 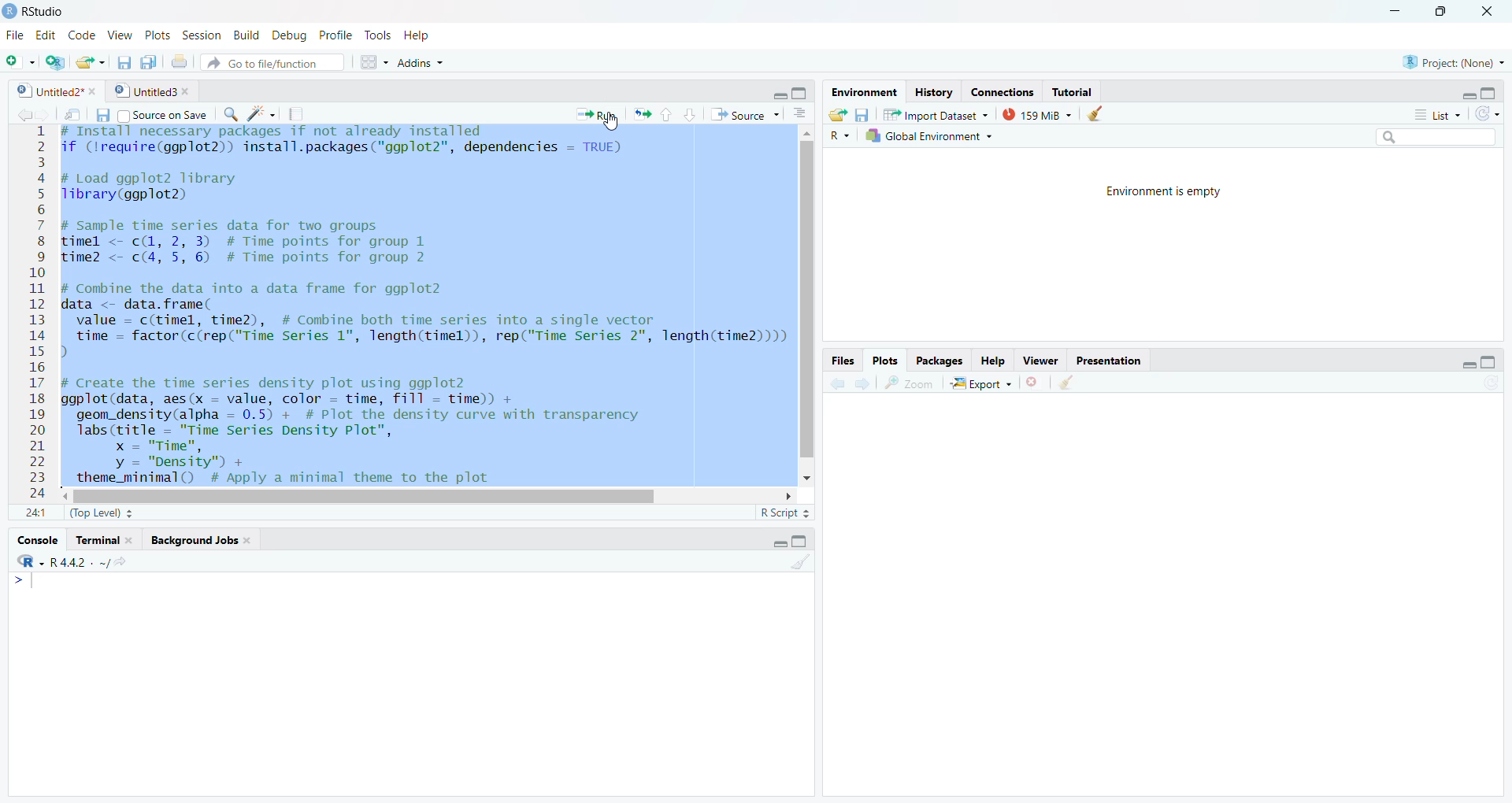 What do you see at coordinates (1437, 115) in the screenshot?
I see `List ` at bounding box center [1437, 115].